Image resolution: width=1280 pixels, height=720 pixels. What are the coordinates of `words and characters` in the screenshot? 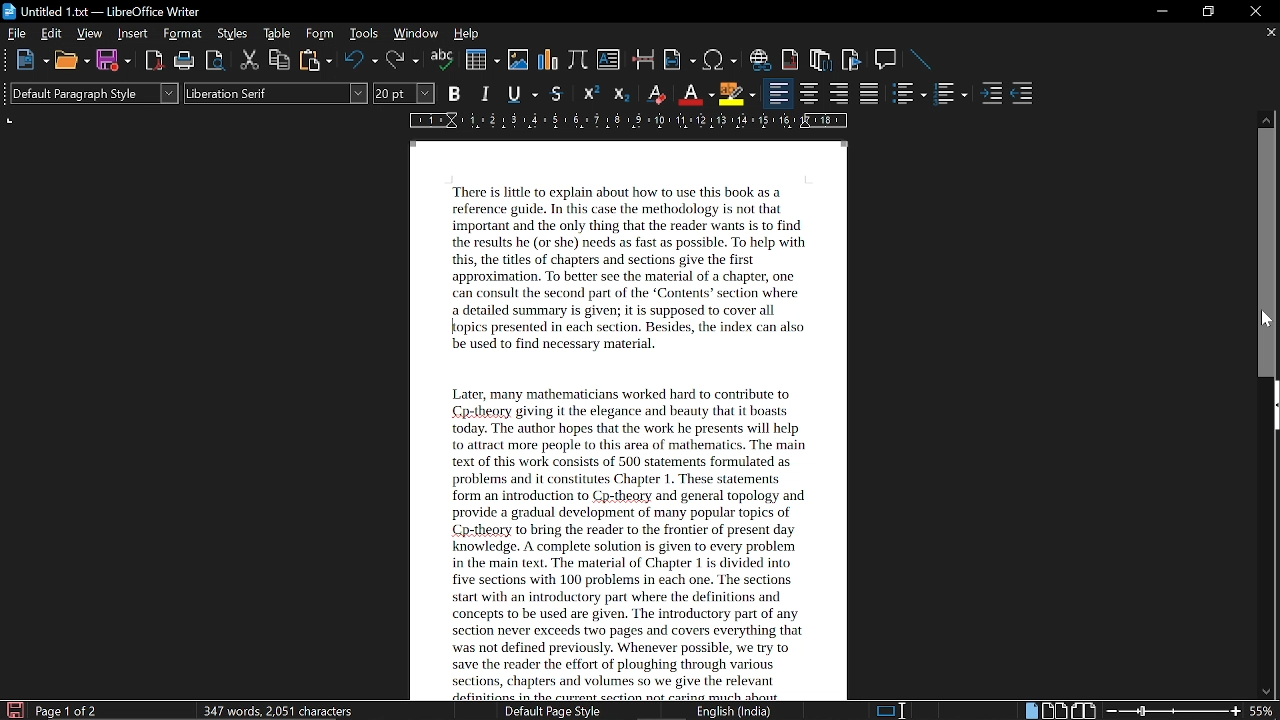 It's located at (276, 710).